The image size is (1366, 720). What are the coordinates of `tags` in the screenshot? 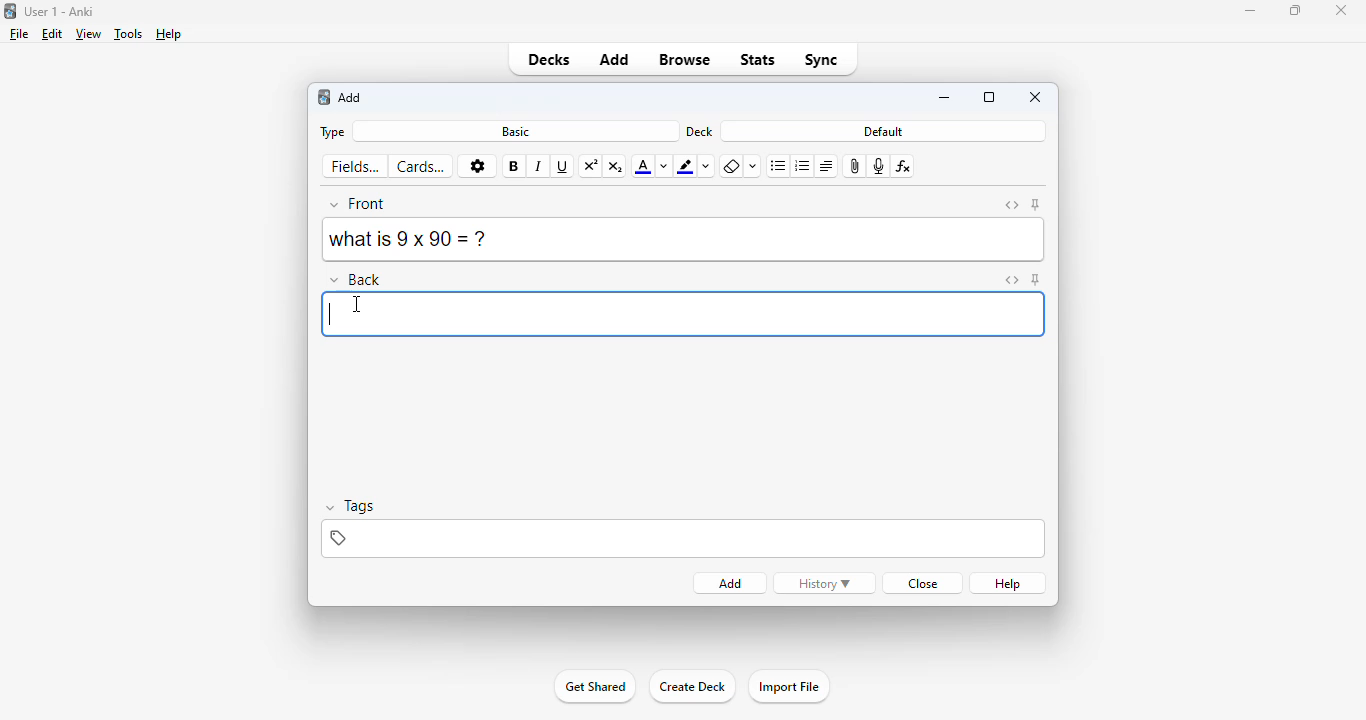 It's located at (683, 539).